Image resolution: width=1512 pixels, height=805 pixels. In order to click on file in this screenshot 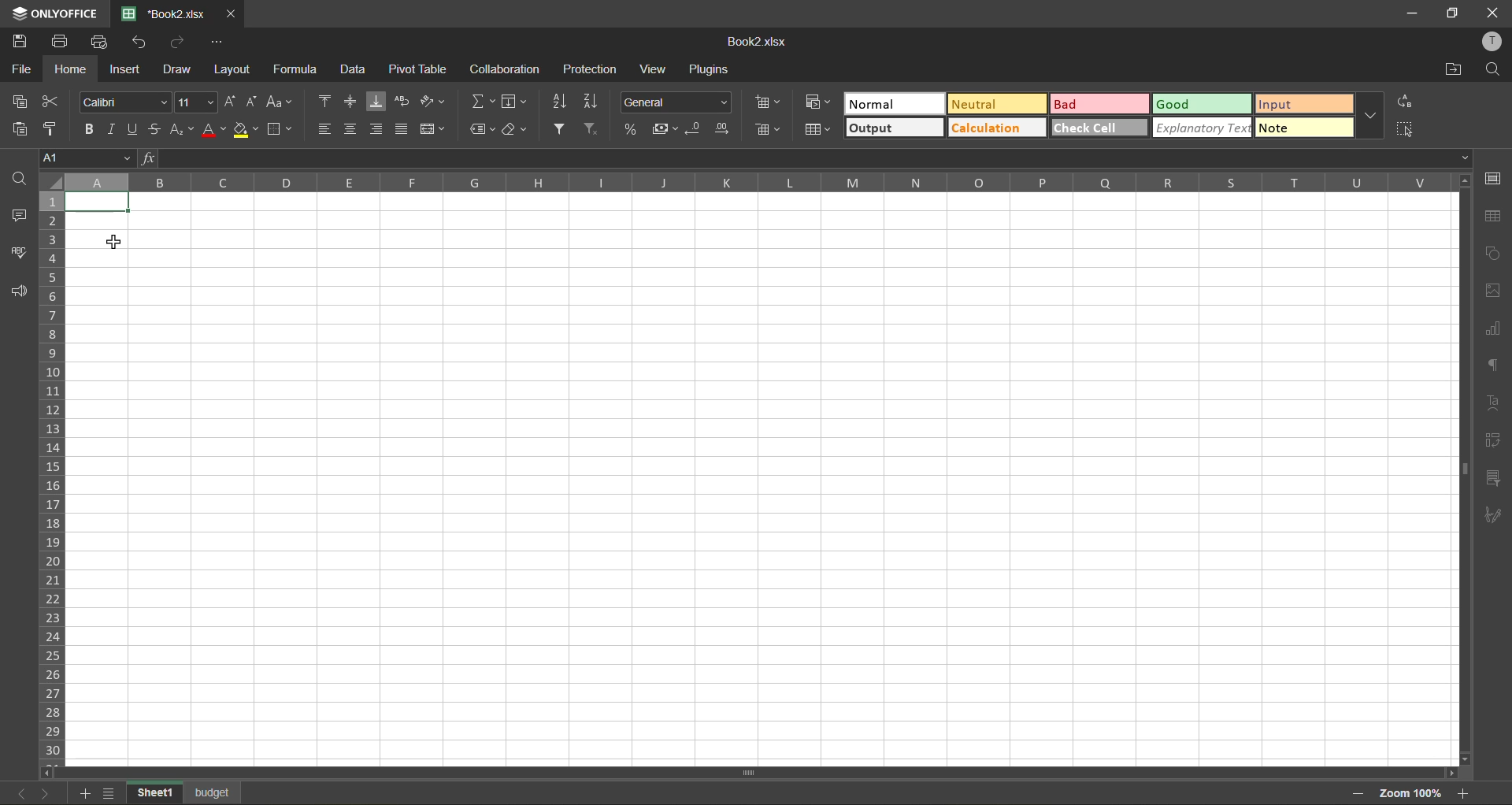, I will do `click(20, 72)`.